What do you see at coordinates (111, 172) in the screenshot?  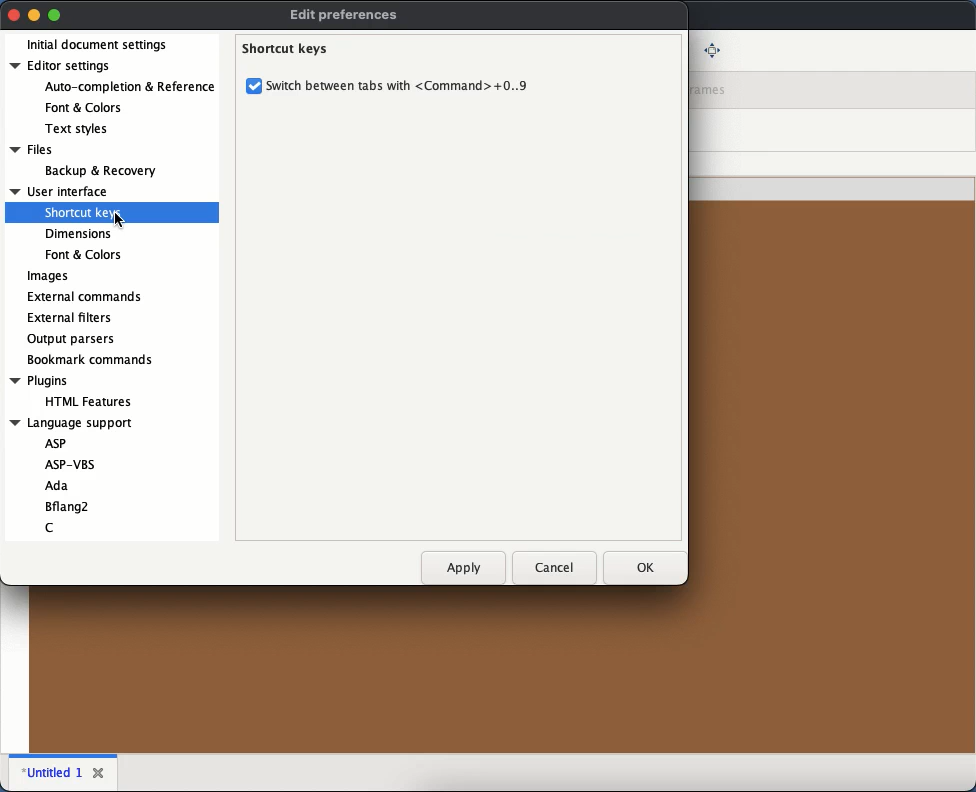 I see `Backup & Recovery` at bounding box center [111, 172].